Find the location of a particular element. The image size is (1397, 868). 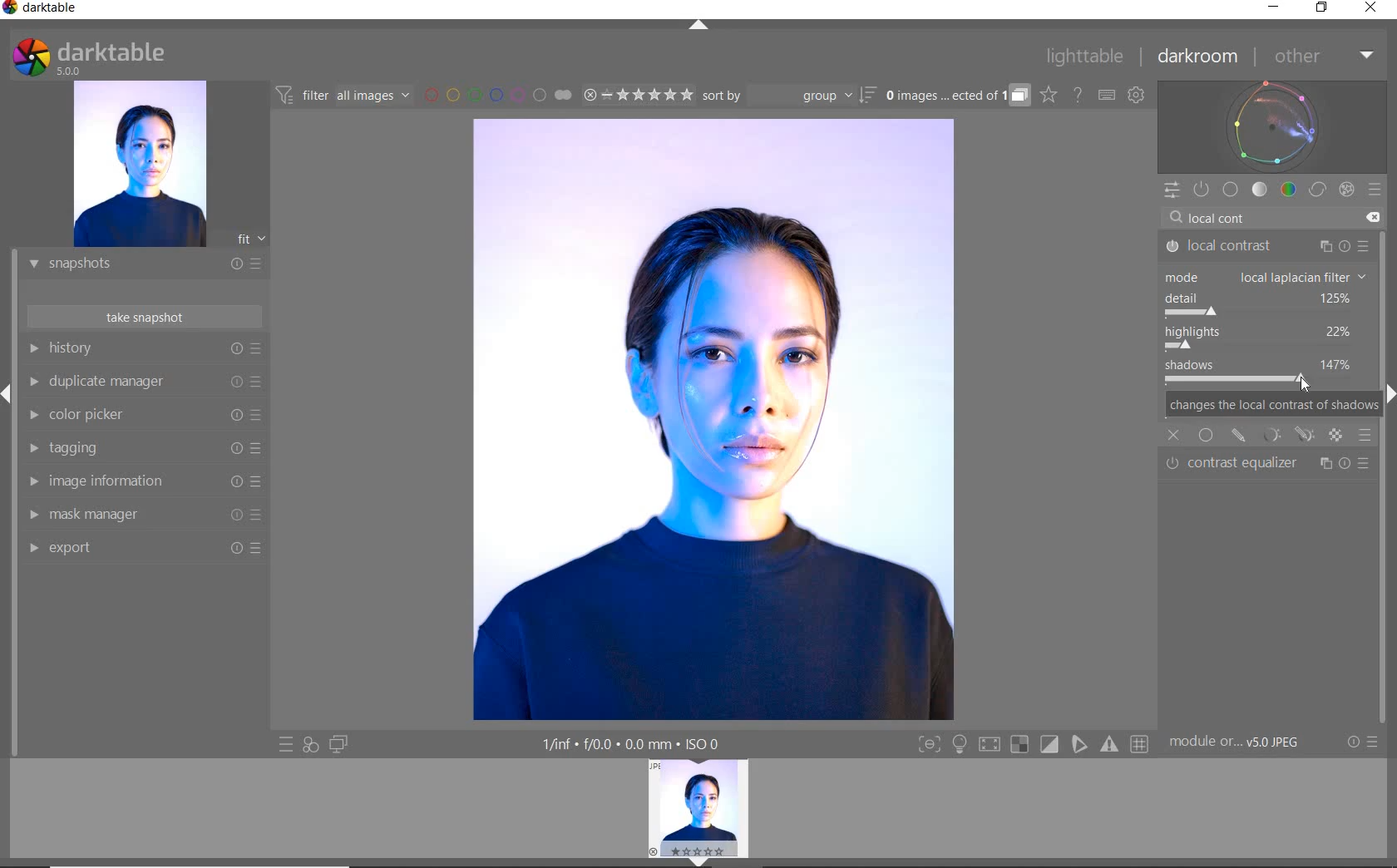

EXPAND/COLLAPSE is located at coordinates (701, 27).